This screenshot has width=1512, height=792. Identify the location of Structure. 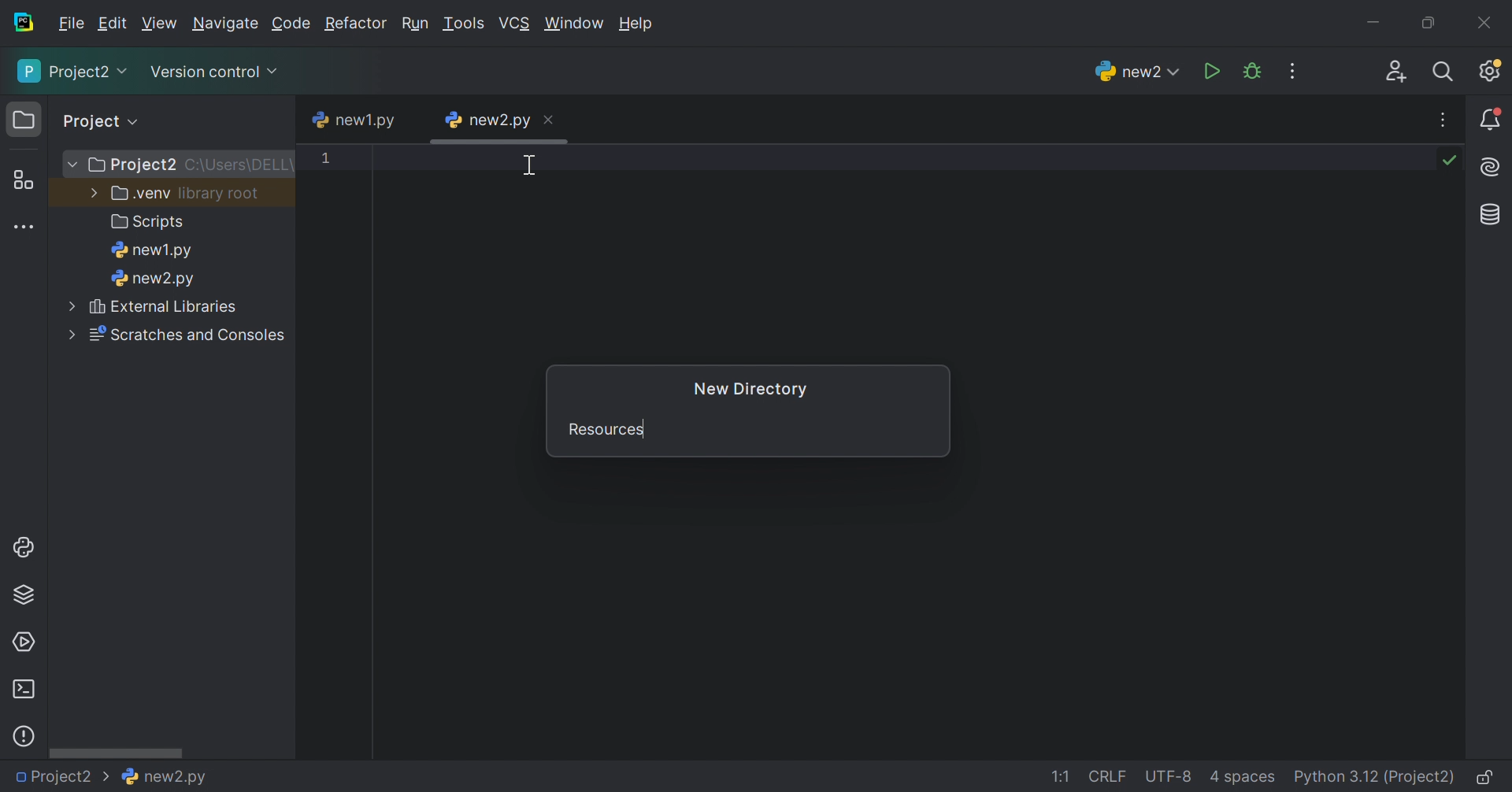
(24, 181).